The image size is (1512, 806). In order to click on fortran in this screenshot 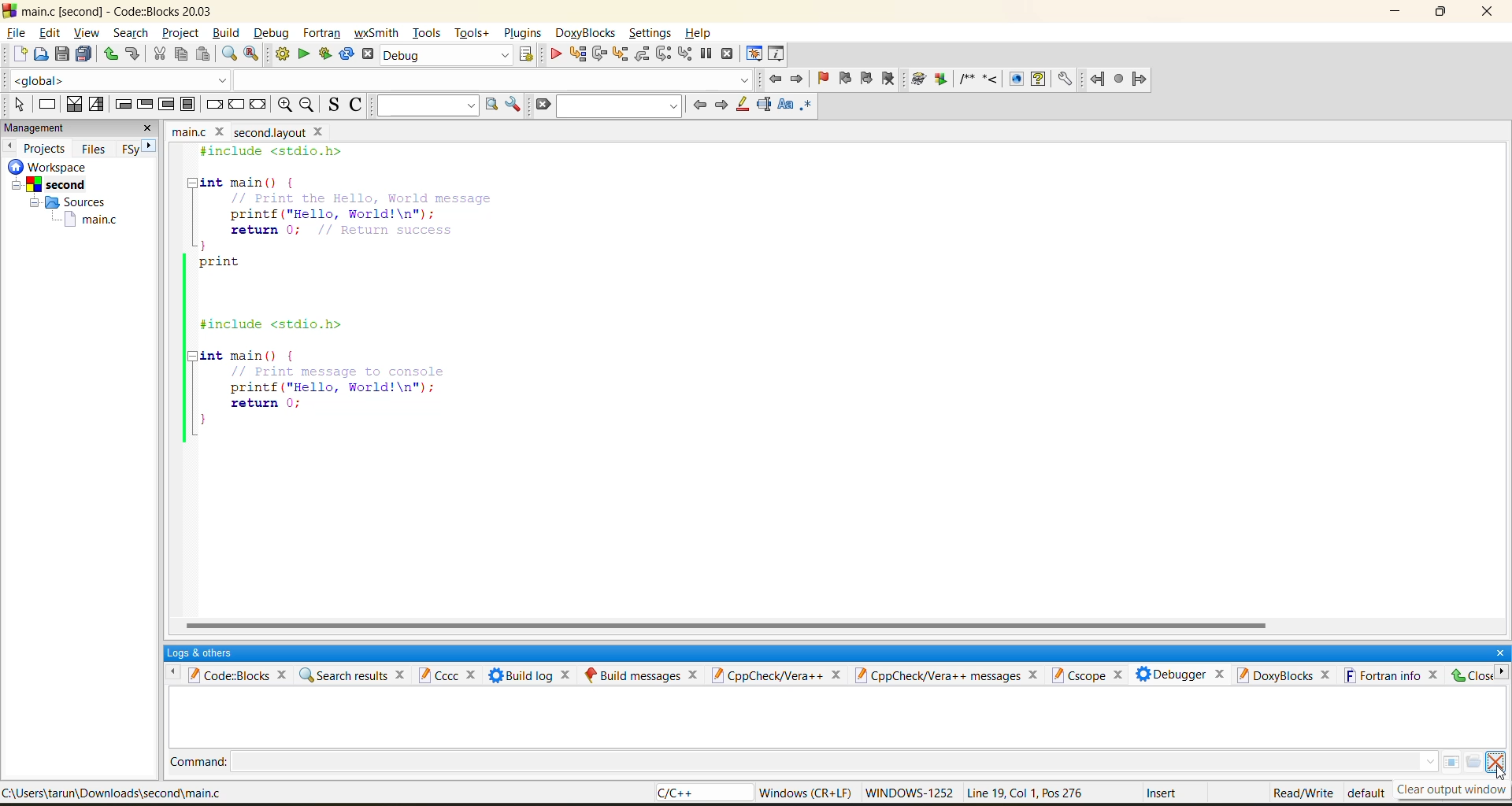, I will do `click(321, 33)`.